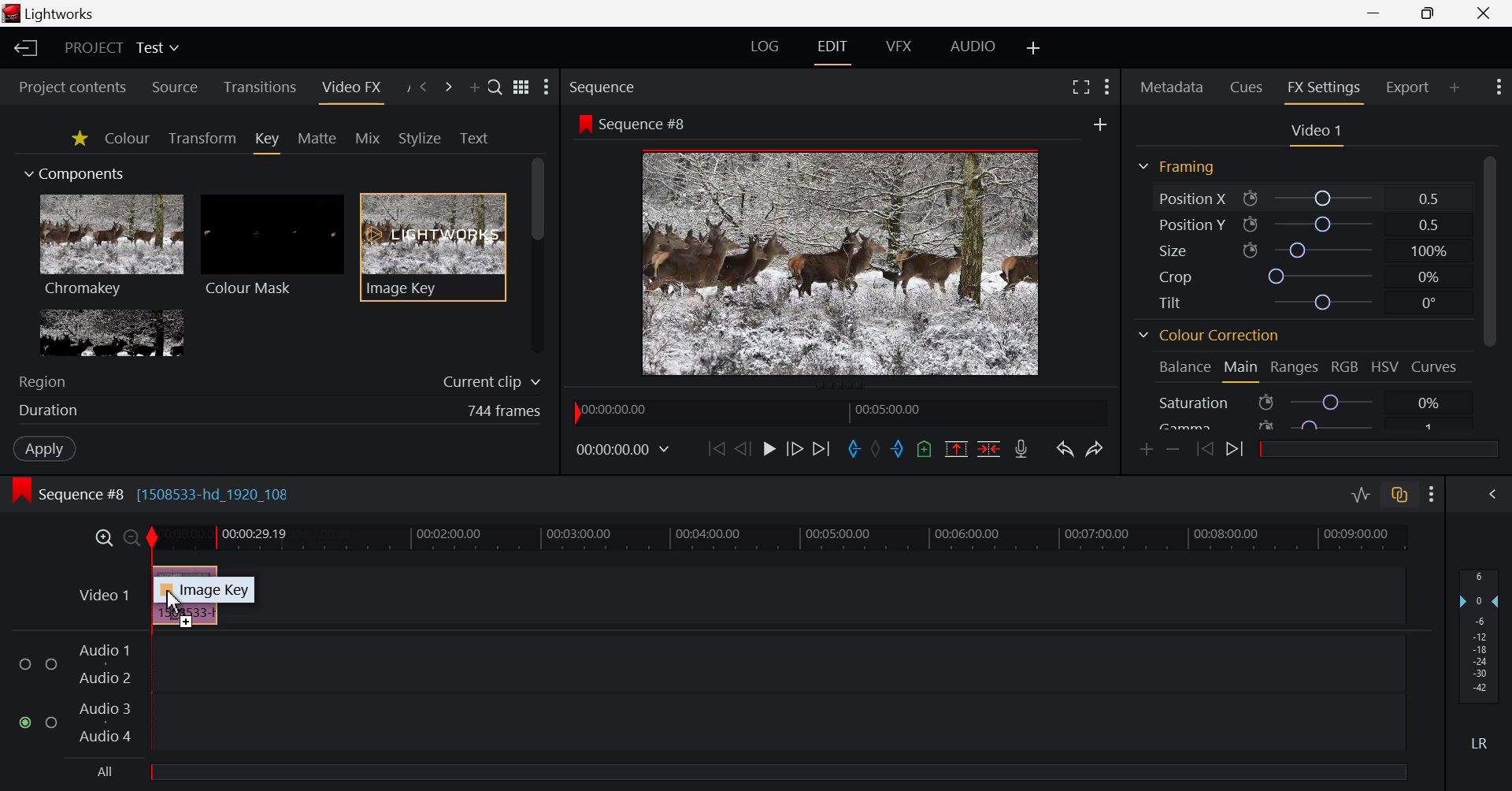 This screenshot has height=791, width=1512. What do you see at coordinates (925, 449) in the screenshot?
I see `Mark Cue` at bounding box center [925, 449].